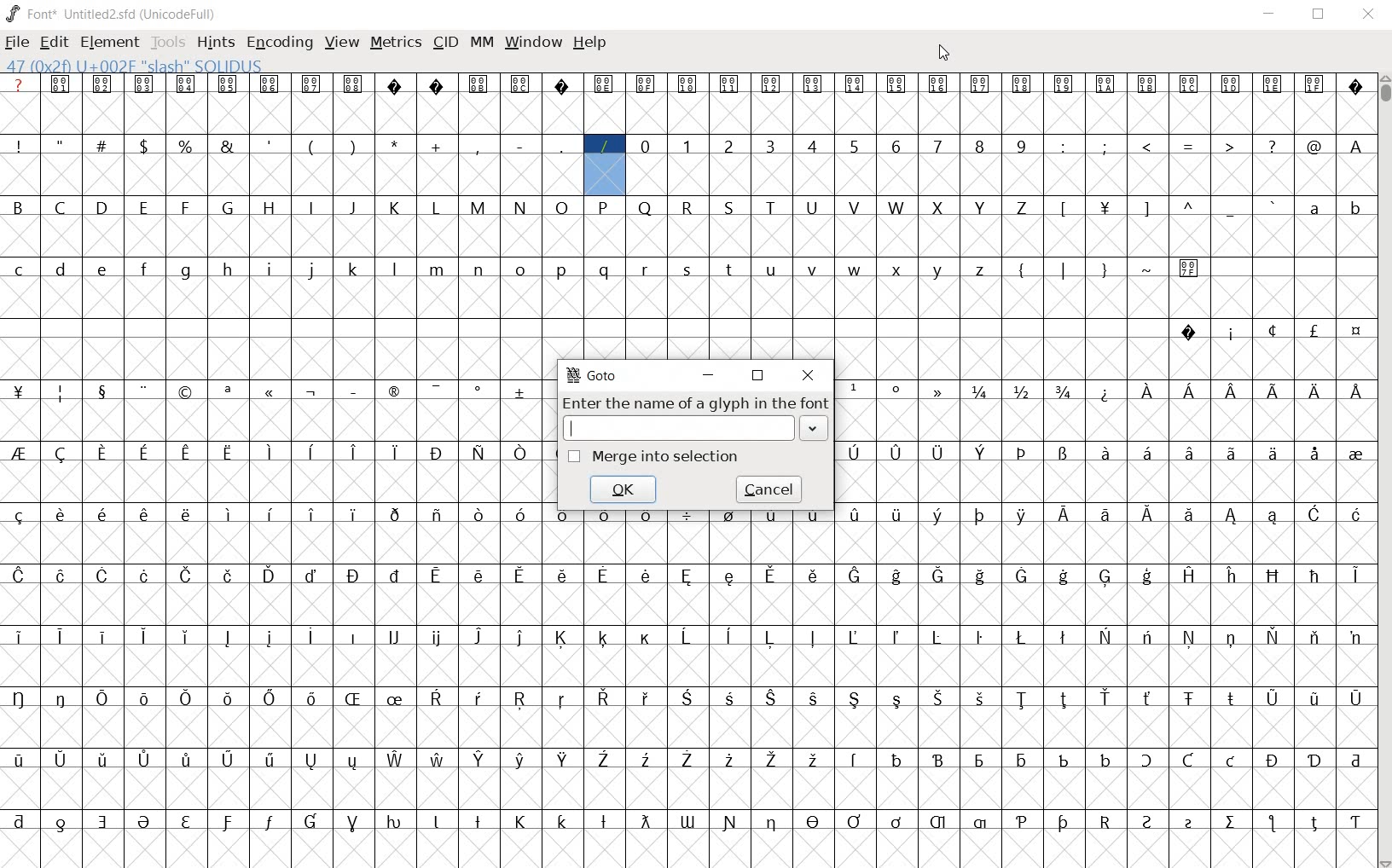 The image size is (1392, 868). I want to click on glyph, so click(145, 391).